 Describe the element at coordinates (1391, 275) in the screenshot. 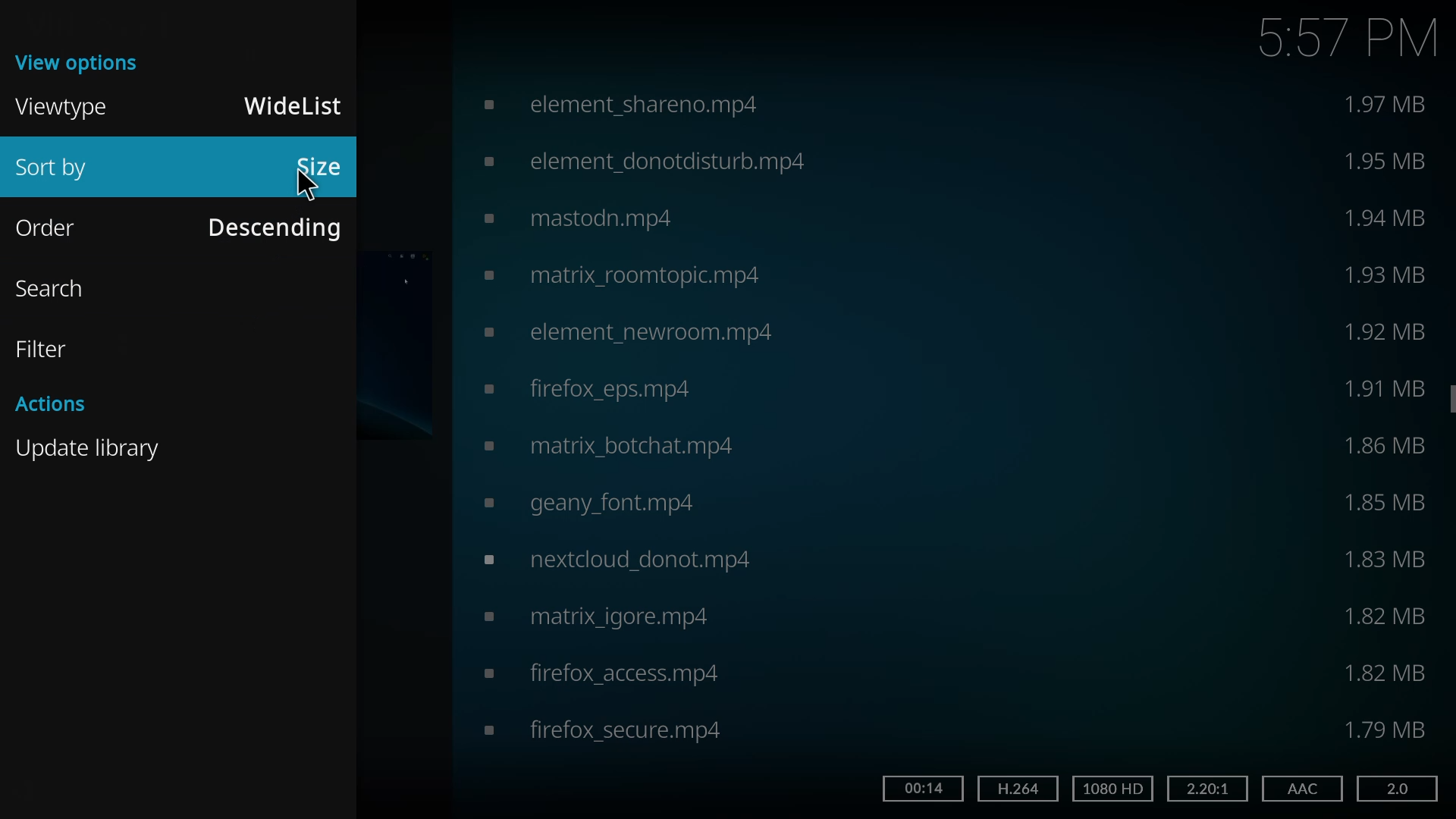

I see `size` at that location.